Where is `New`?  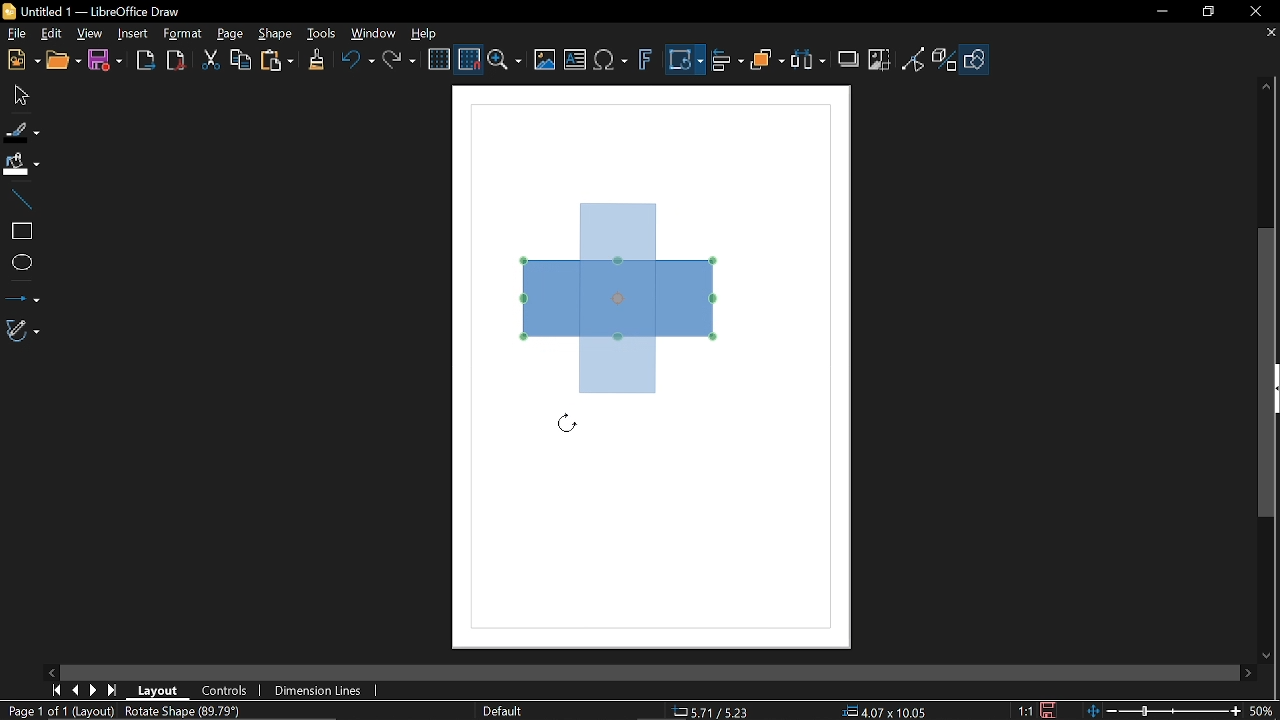
New is located at coordinates (22, 60).